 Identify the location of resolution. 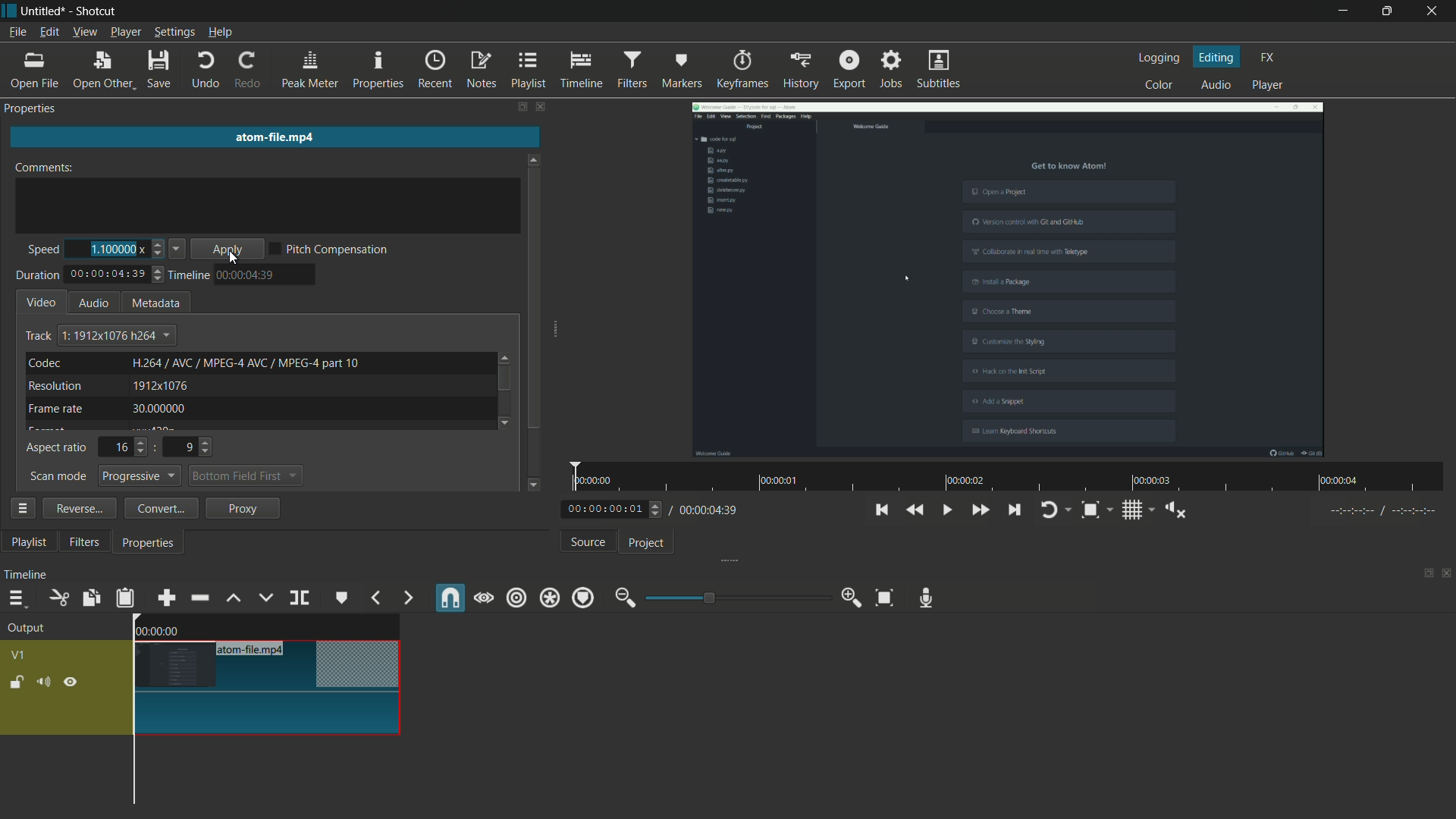
(56, 387).